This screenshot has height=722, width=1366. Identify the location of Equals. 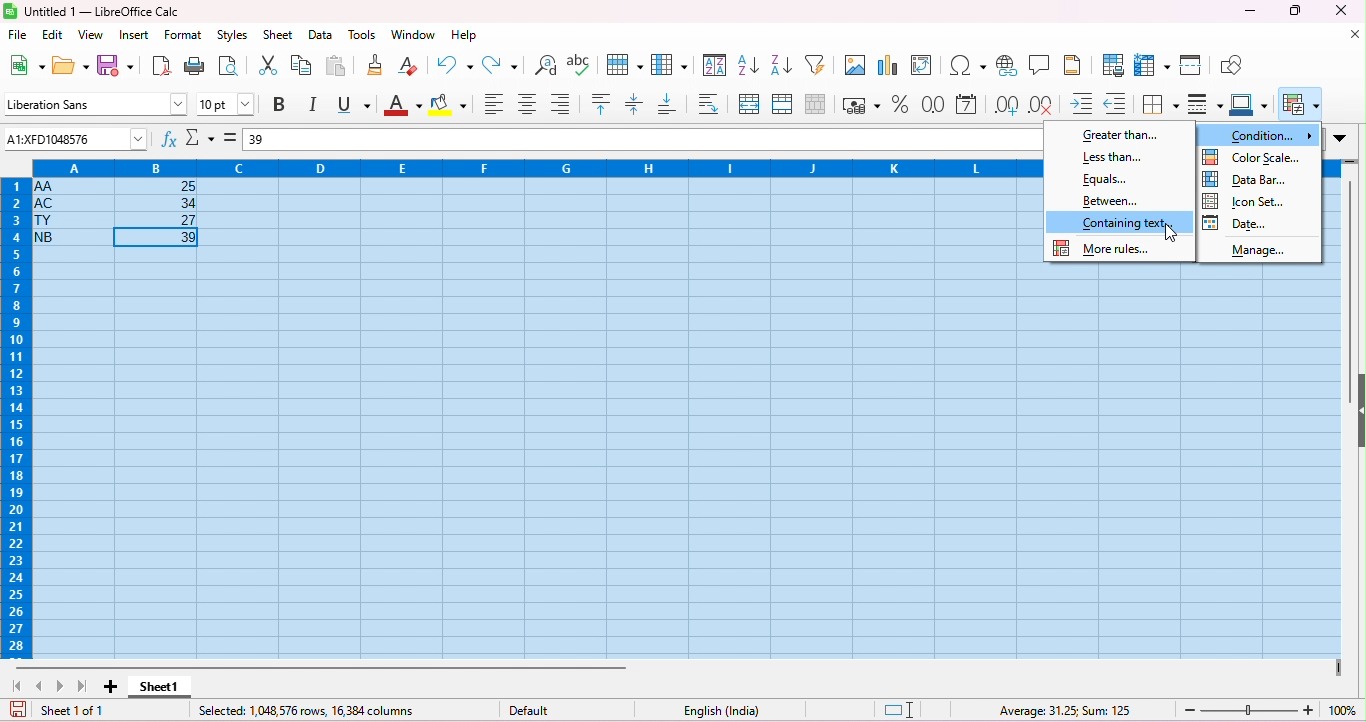
(1106, 179).